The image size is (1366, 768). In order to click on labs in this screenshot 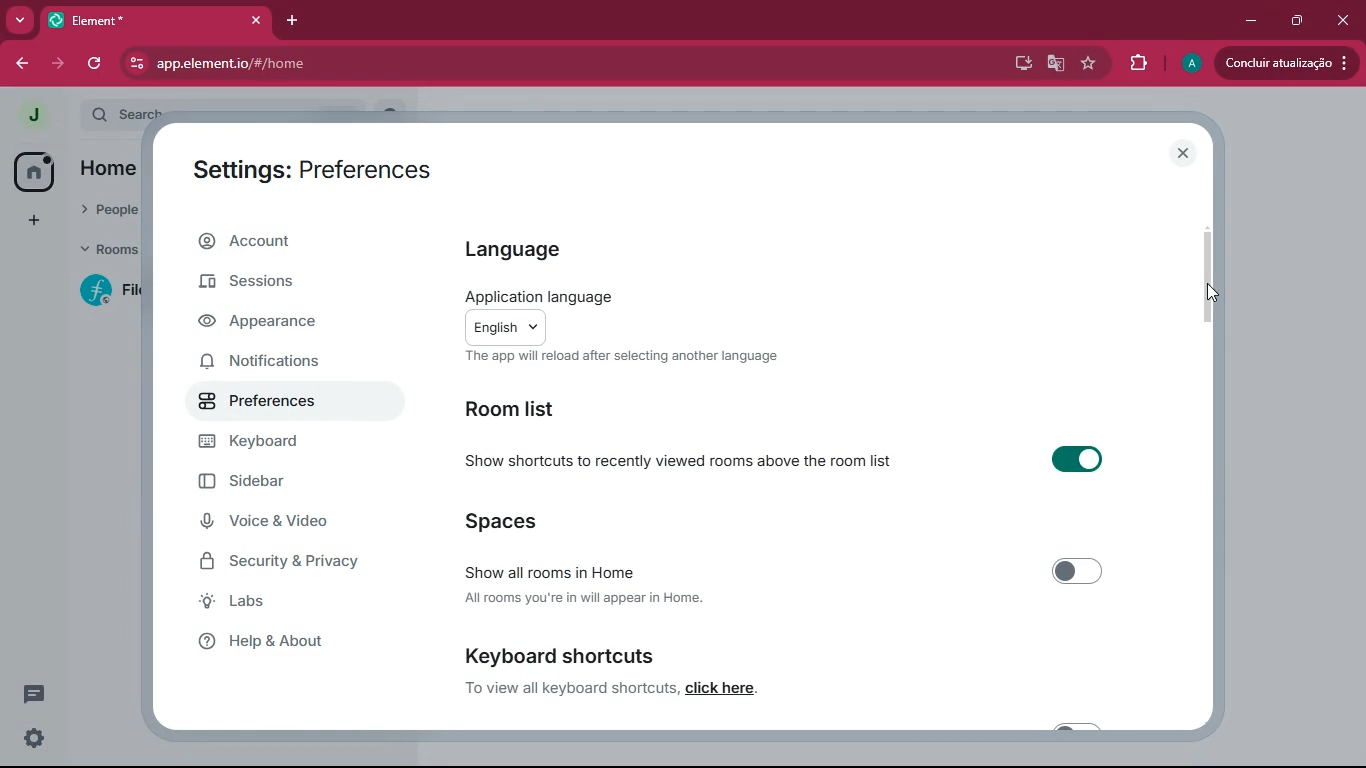, I will do `click(278, 604)`.